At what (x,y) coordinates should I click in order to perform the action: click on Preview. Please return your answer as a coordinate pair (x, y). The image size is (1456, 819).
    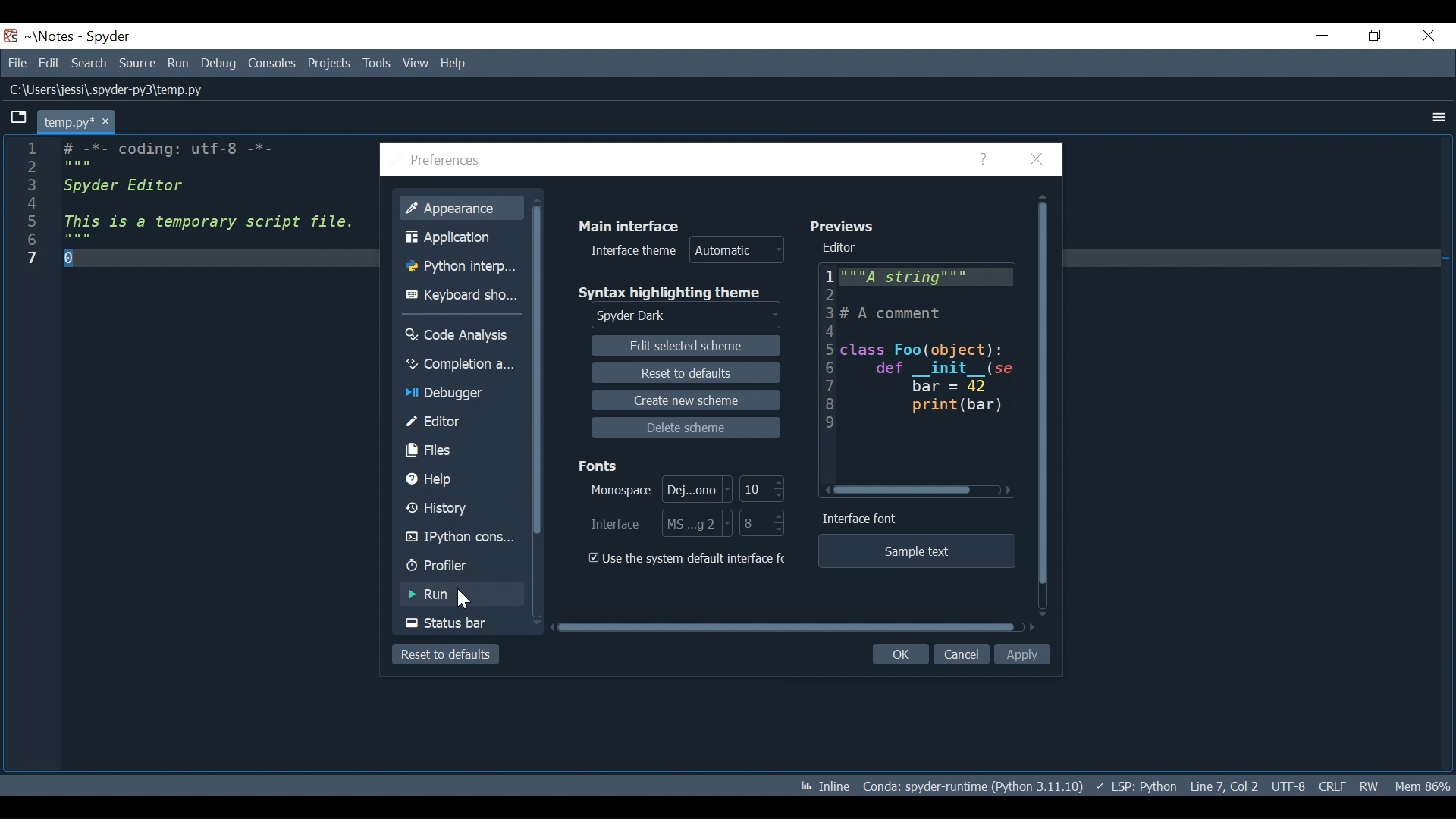
    Looking at the image, I should click on (840, 227).